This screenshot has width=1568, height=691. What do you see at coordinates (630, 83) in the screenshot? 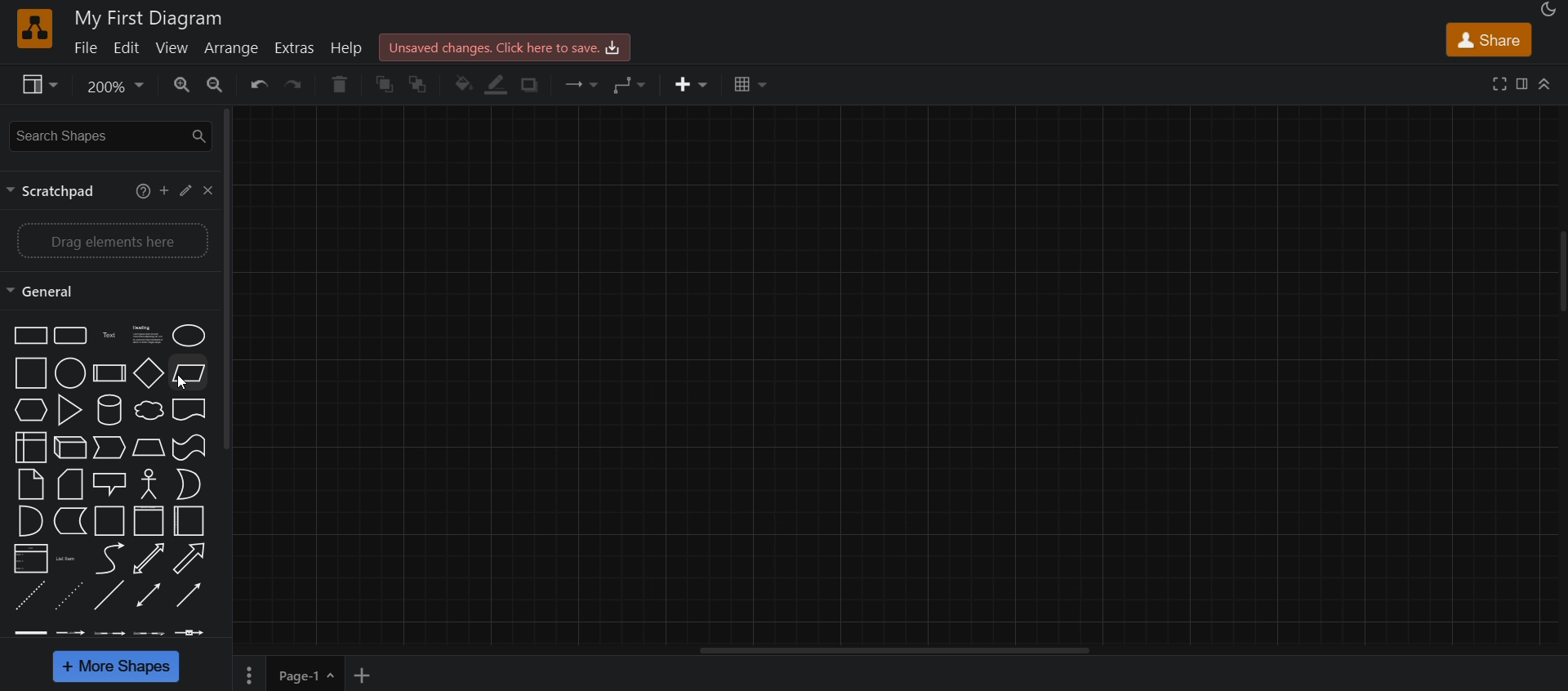
I see `waypoints` at bounding box center [630, 83].